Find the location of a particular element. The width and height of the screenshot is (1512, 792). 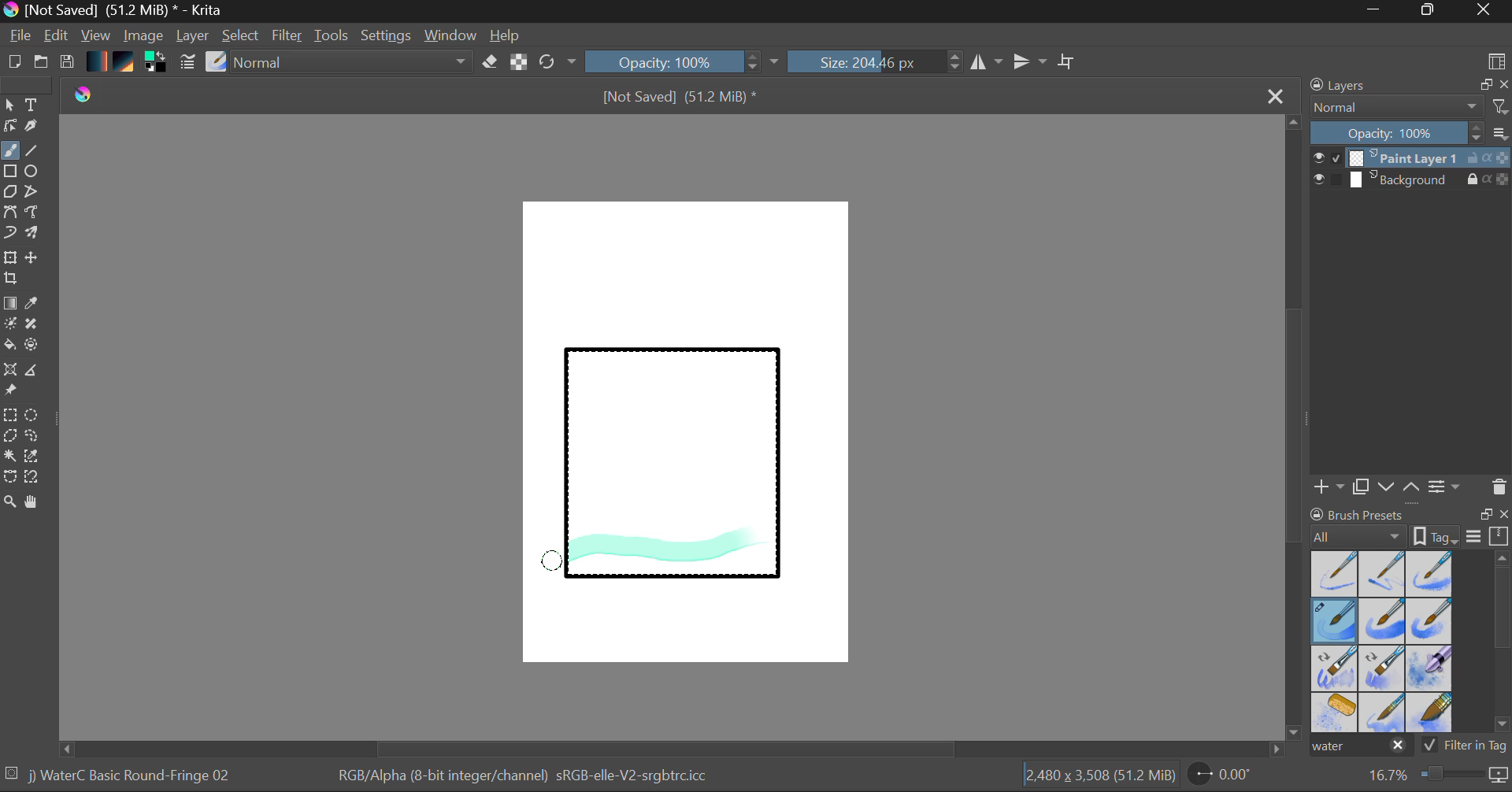

Colorize Mask Tool is located at coordinates (11, 325).